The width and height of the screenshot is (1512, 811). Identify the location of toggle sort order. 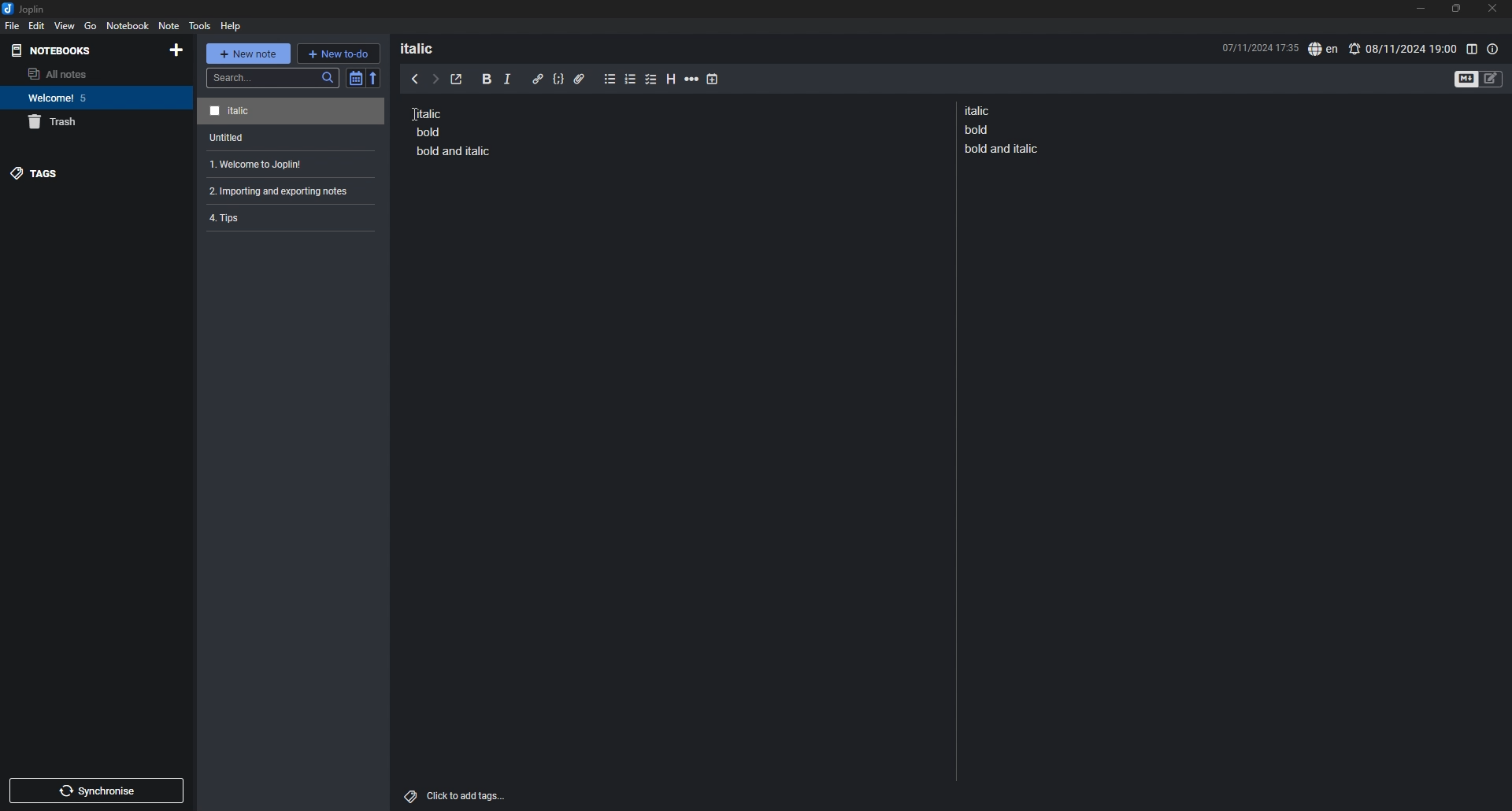
(355, 78).